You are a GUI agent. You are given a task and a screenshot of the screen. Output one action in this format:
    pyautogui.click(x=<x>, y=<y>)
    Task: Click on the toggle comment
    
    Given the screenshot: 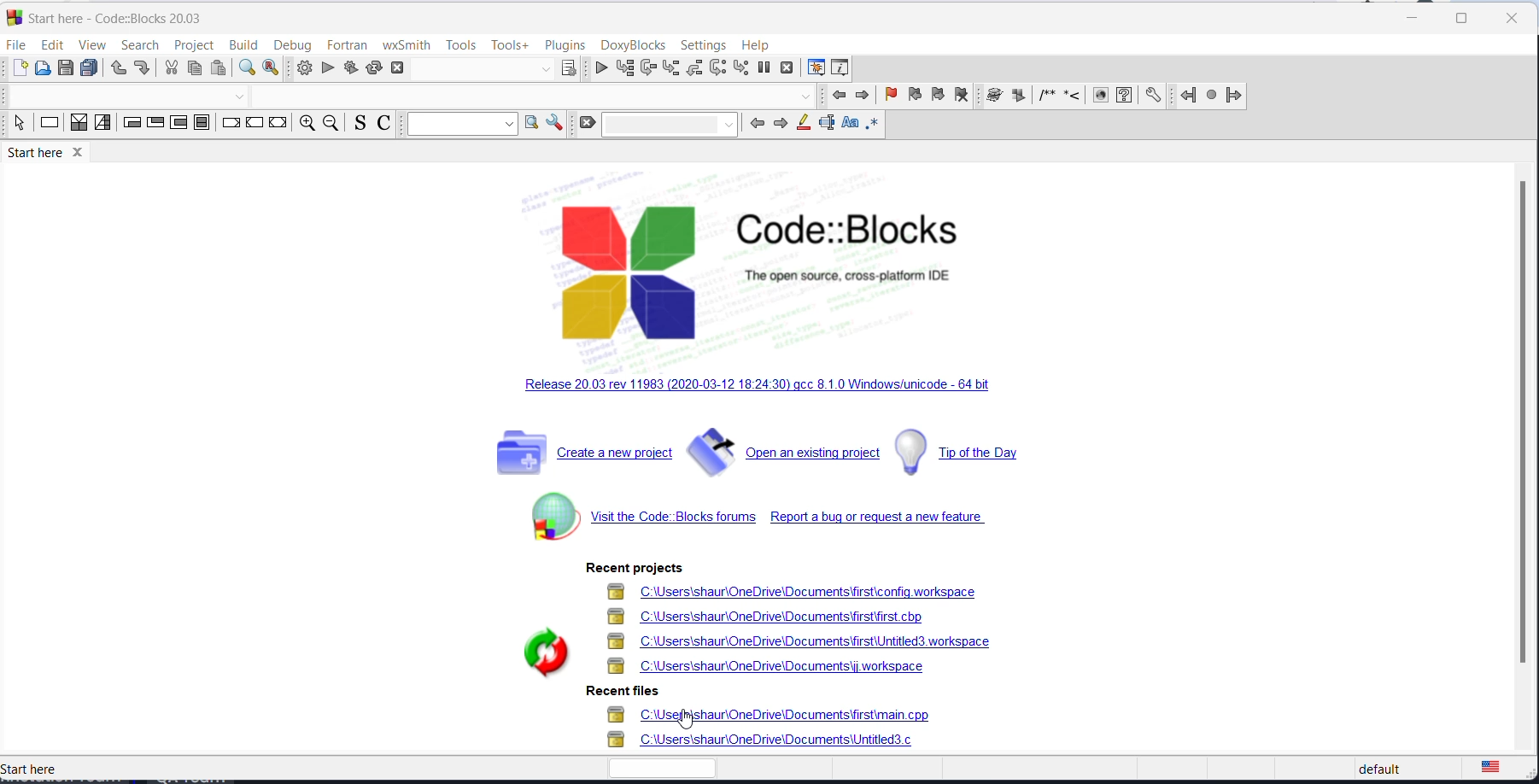 What is the action you would take?
    pyautogui.click(x=383, y=125)
    